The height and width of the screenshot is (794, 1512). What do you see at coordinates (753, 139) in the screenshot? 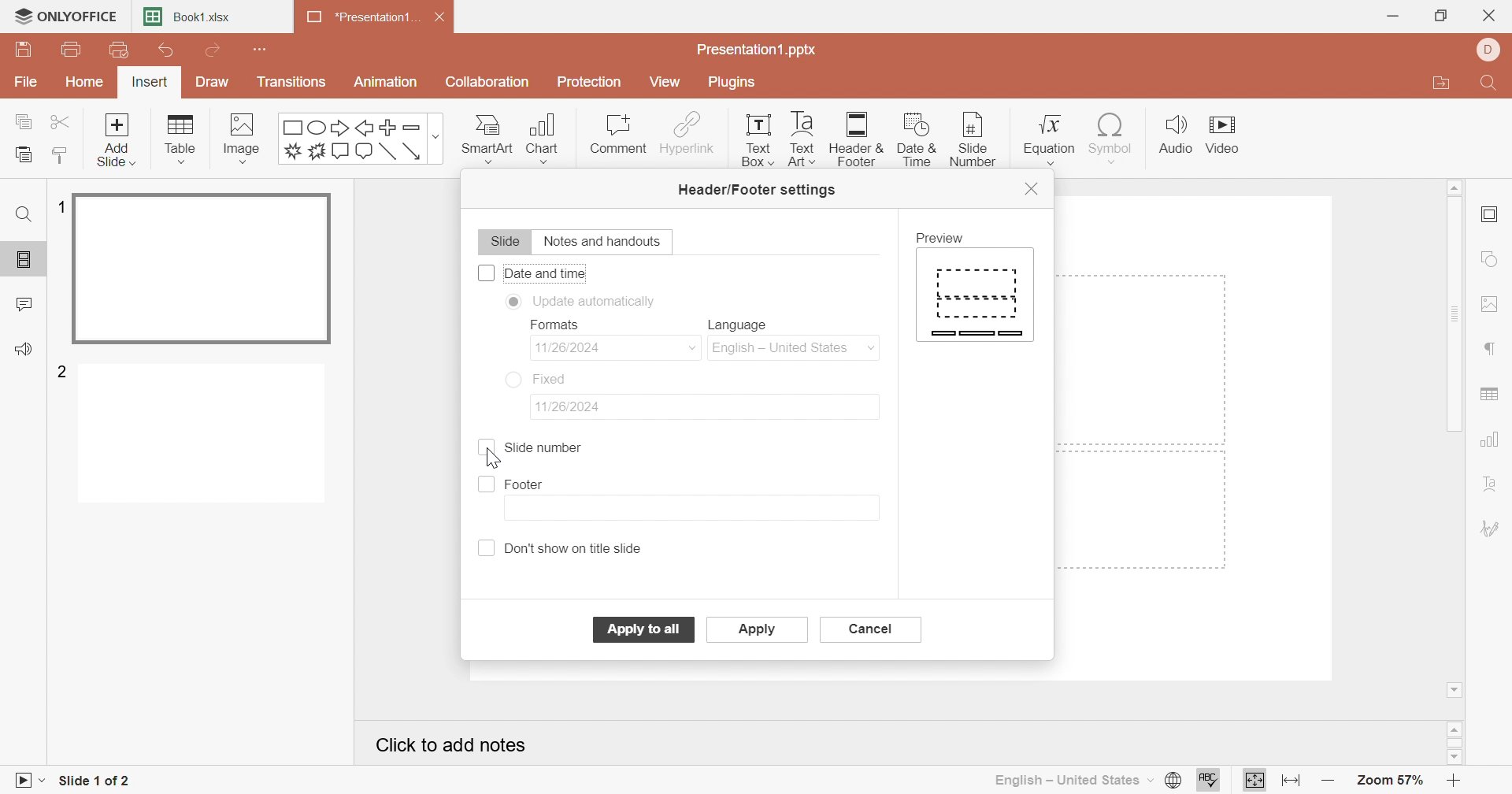
I see `Text Box` at bounding box center [753, 139].